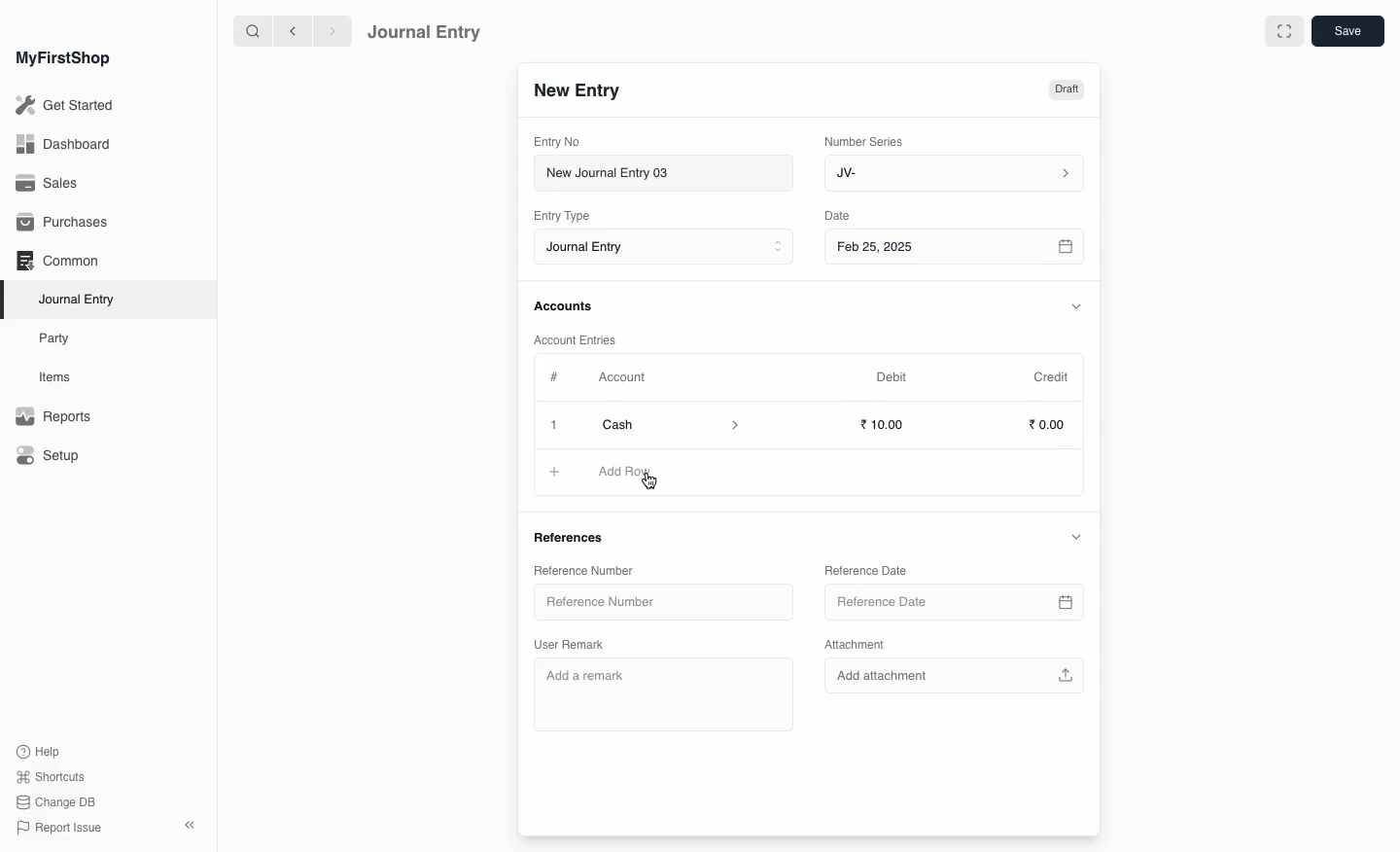 This screenshot has width=1400, height=852. I want to click on Items, so click(60, 377).